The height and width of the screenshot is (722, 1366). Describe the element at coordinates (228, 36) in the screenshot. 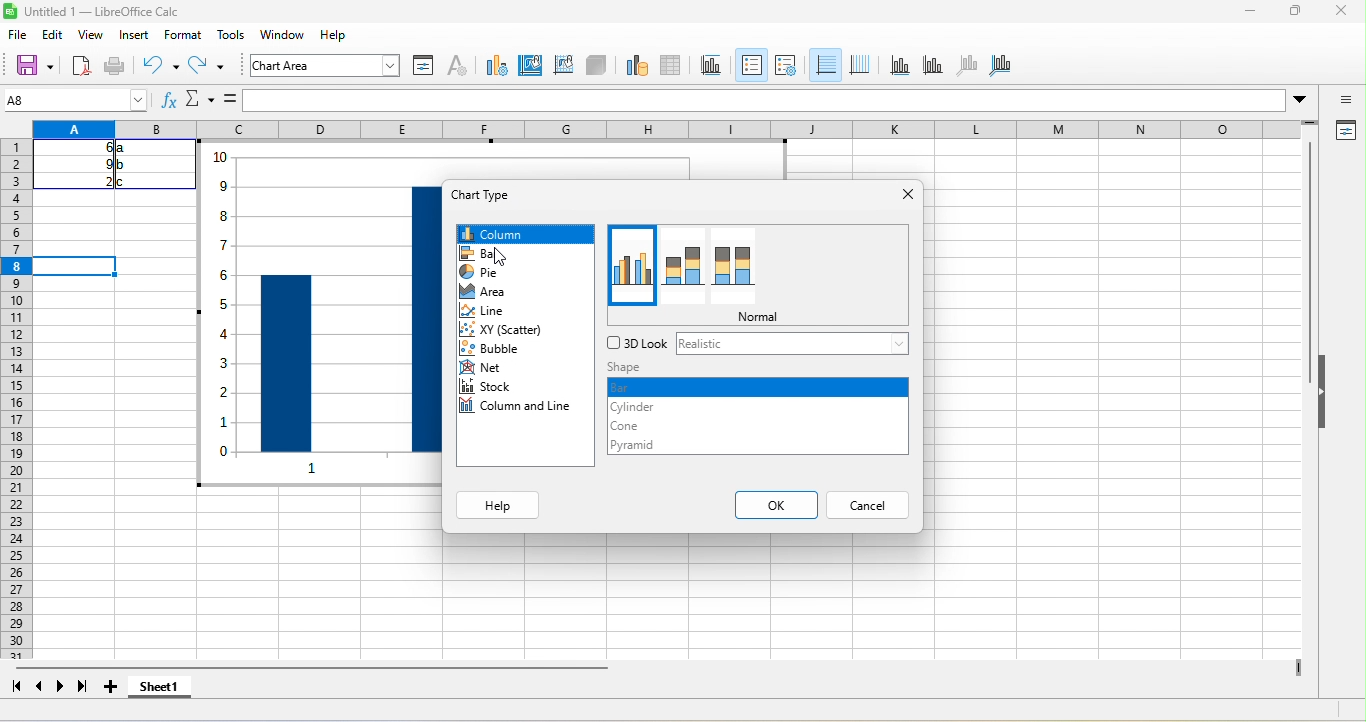

I see `styles` at that location.